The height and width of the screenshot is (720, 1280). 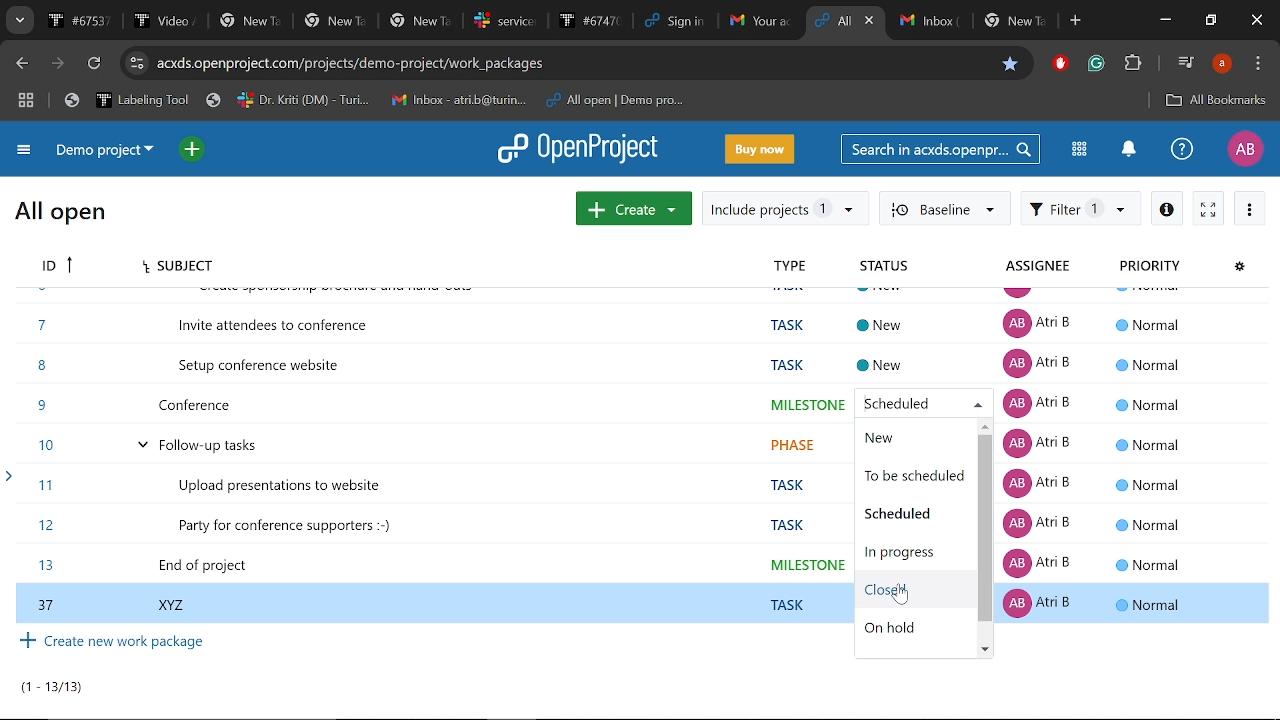 I want to click on Configure view, so click(x=1241, y=265).